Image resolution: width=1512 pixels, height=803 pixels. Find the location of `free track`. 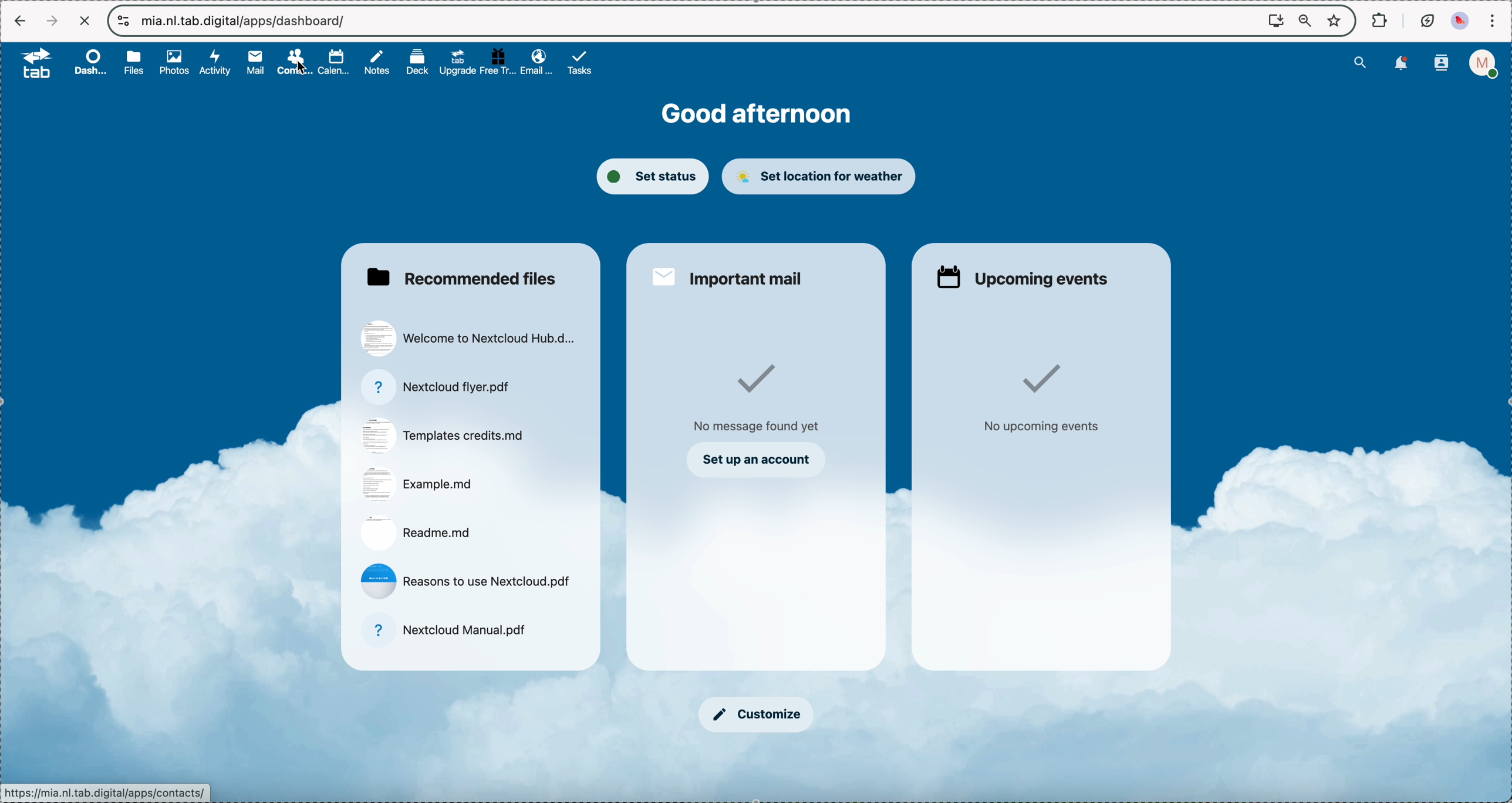

free track is located at coordinates (497, 61).